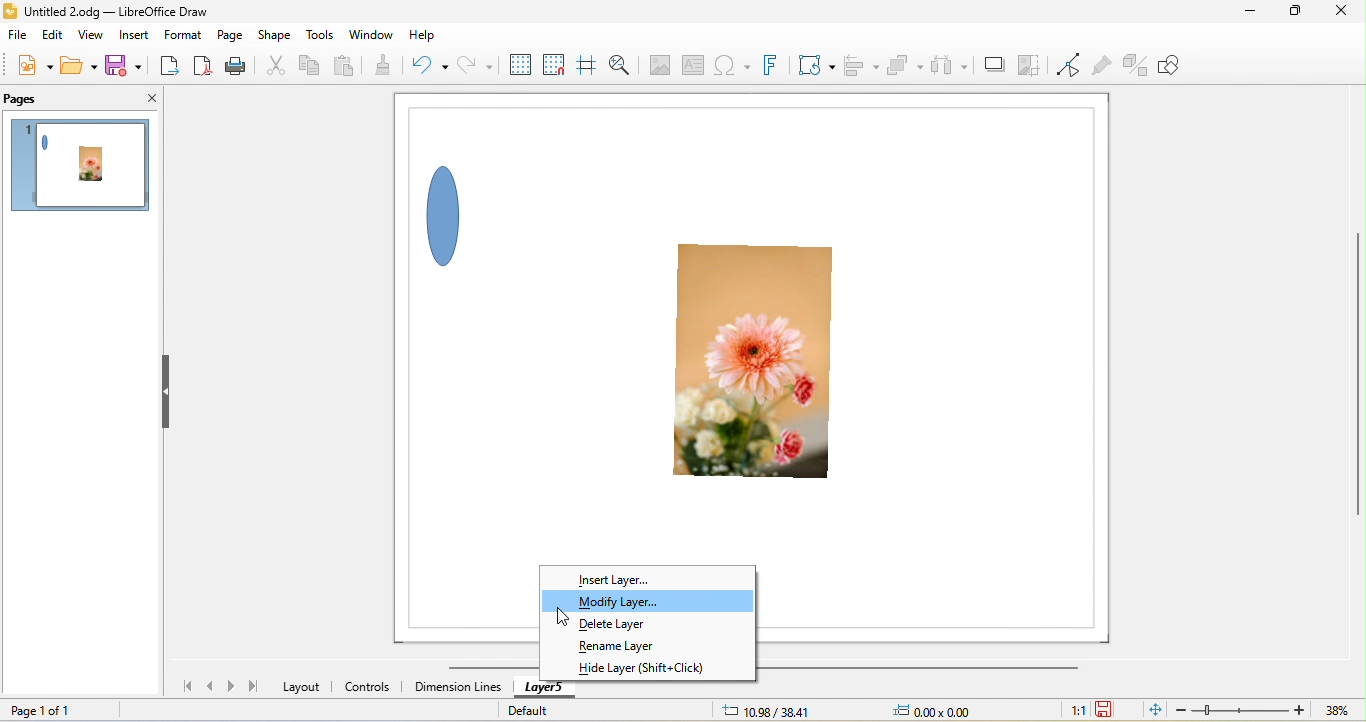  What do you see at coordinates (302, 686) in the screenshot?
I see `layout` at bounding box center [302, 686].